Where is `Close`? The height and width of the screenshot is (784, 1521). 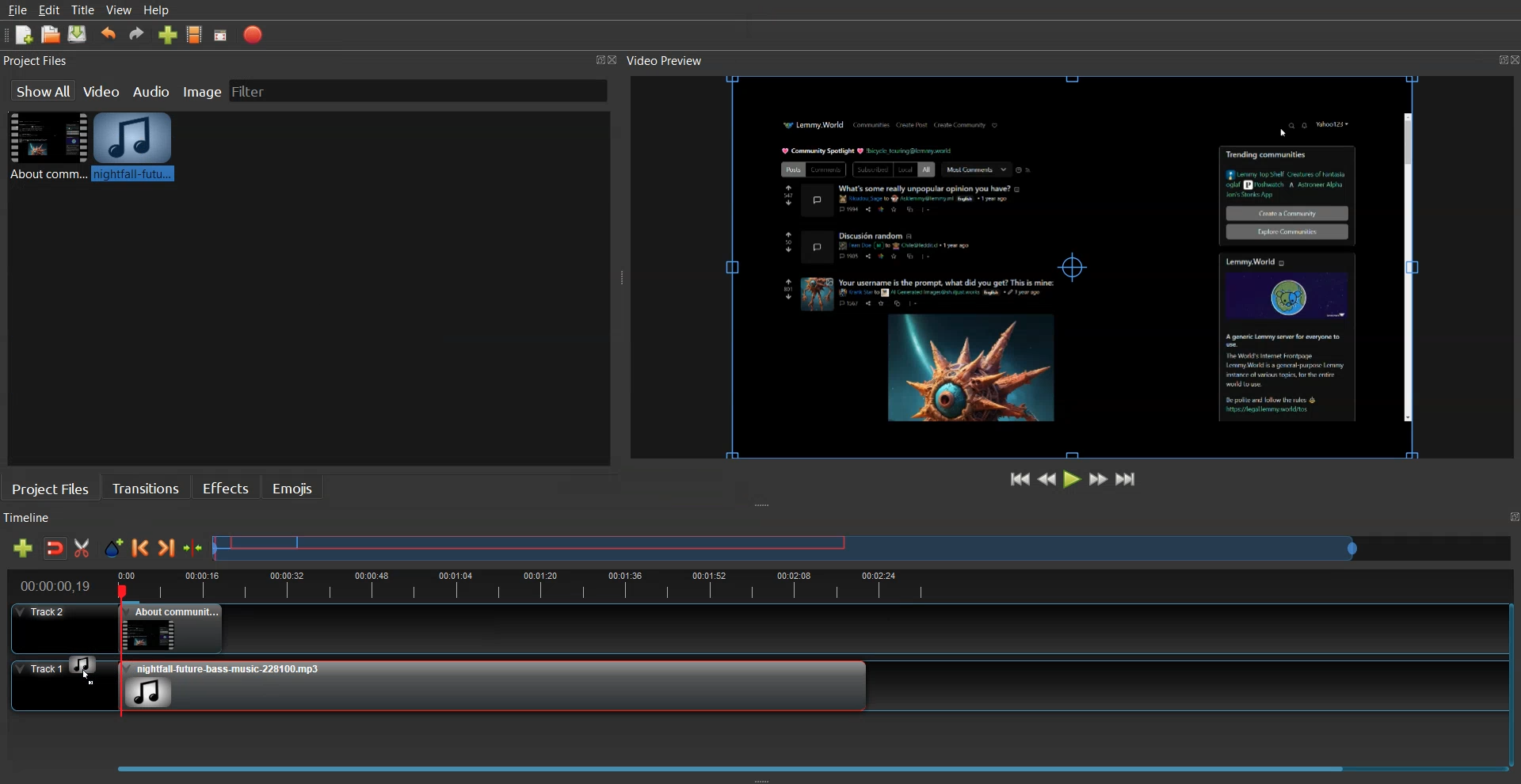
Close is located at coordinates (1511, 59).